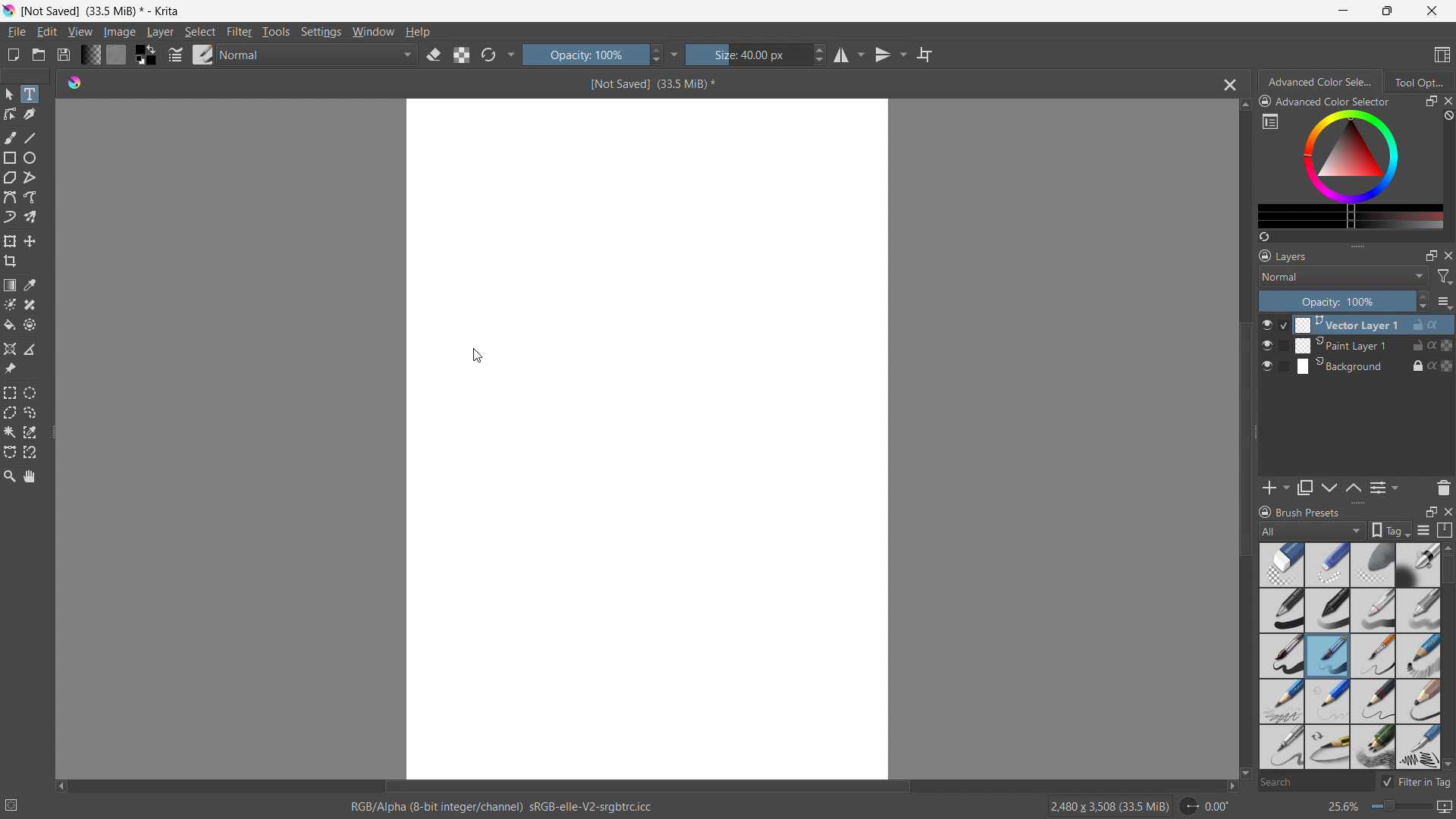  What do you see at coordinates (1327, 565) in the screenshot?
I see `light blur` at bounding box center [1327, 565].